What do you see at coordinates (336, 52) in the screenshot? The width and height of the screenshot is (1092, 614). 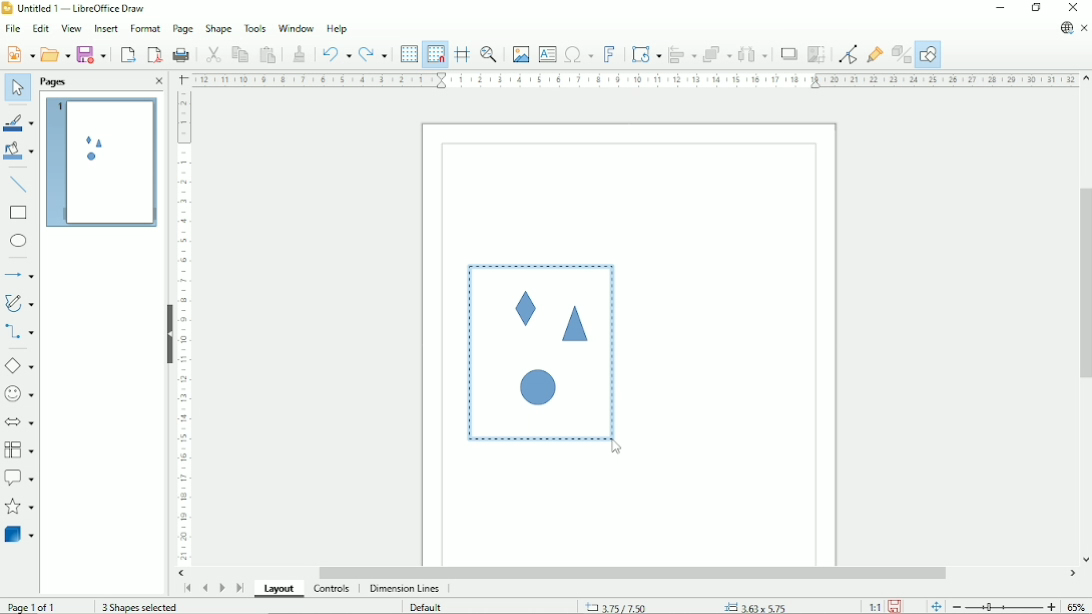 I see `Undo` at bounding box center [336, 52].